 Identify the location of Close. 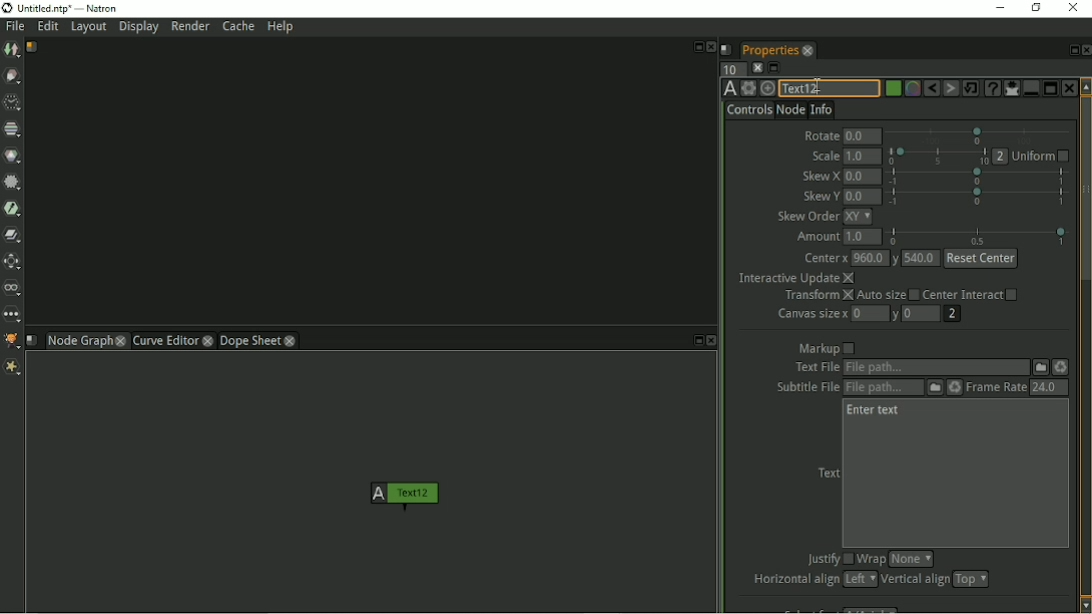
(1072, 8).